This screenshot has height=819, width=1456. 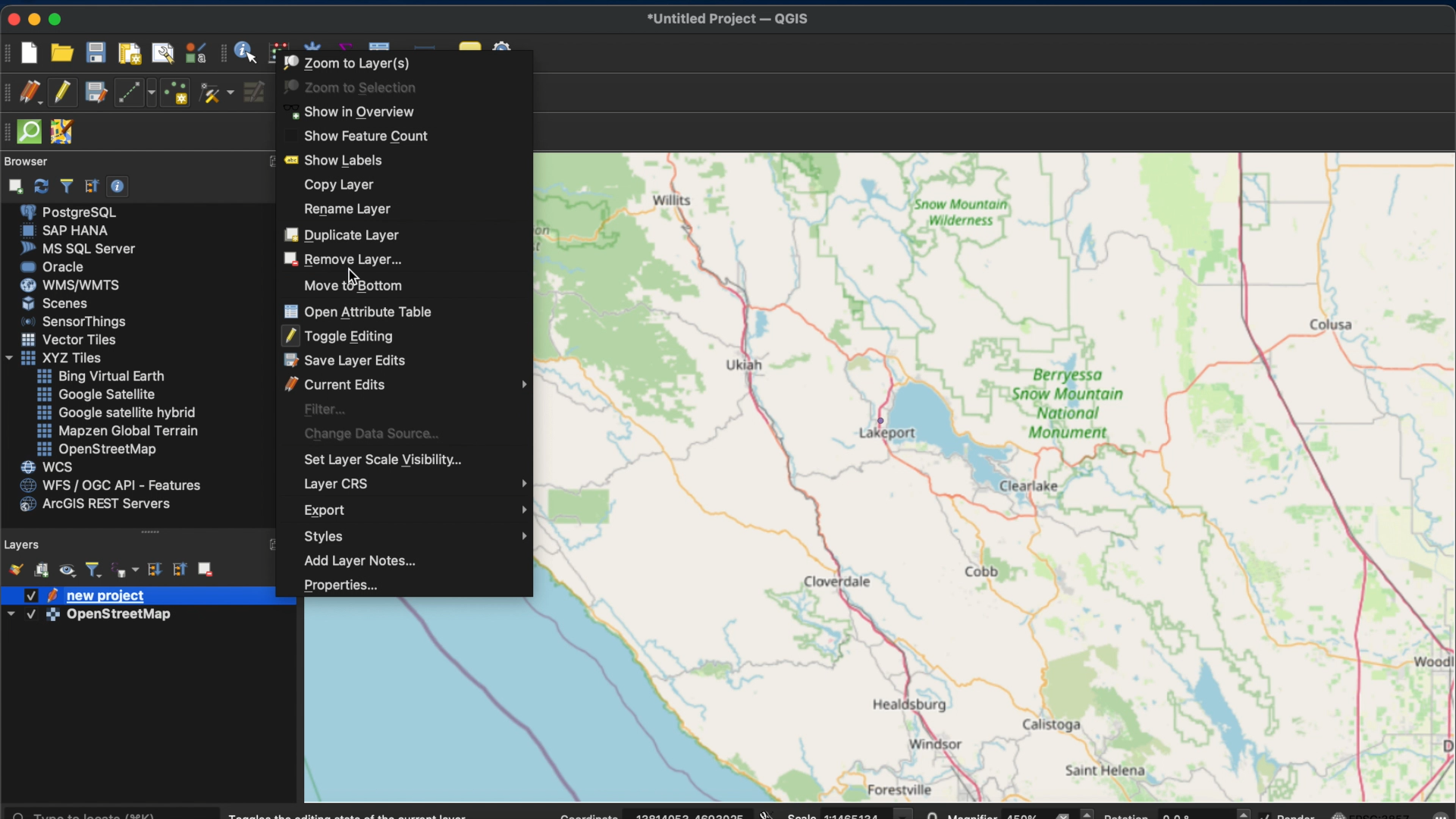 I want to click on Quick OSM, so click(x=30, y=132).